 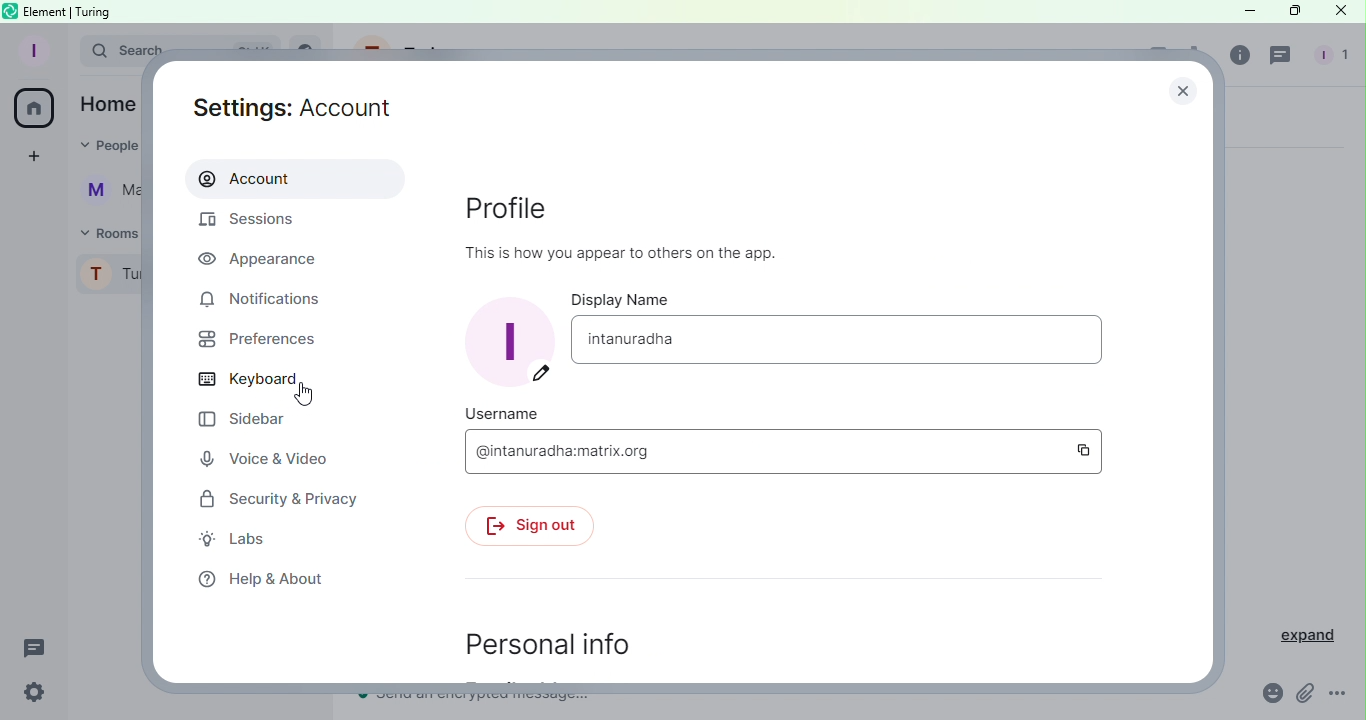 What do you see at coordinates (1339, 13) in the screenshot?
I see `Close` at bounding box center [1339, 13].